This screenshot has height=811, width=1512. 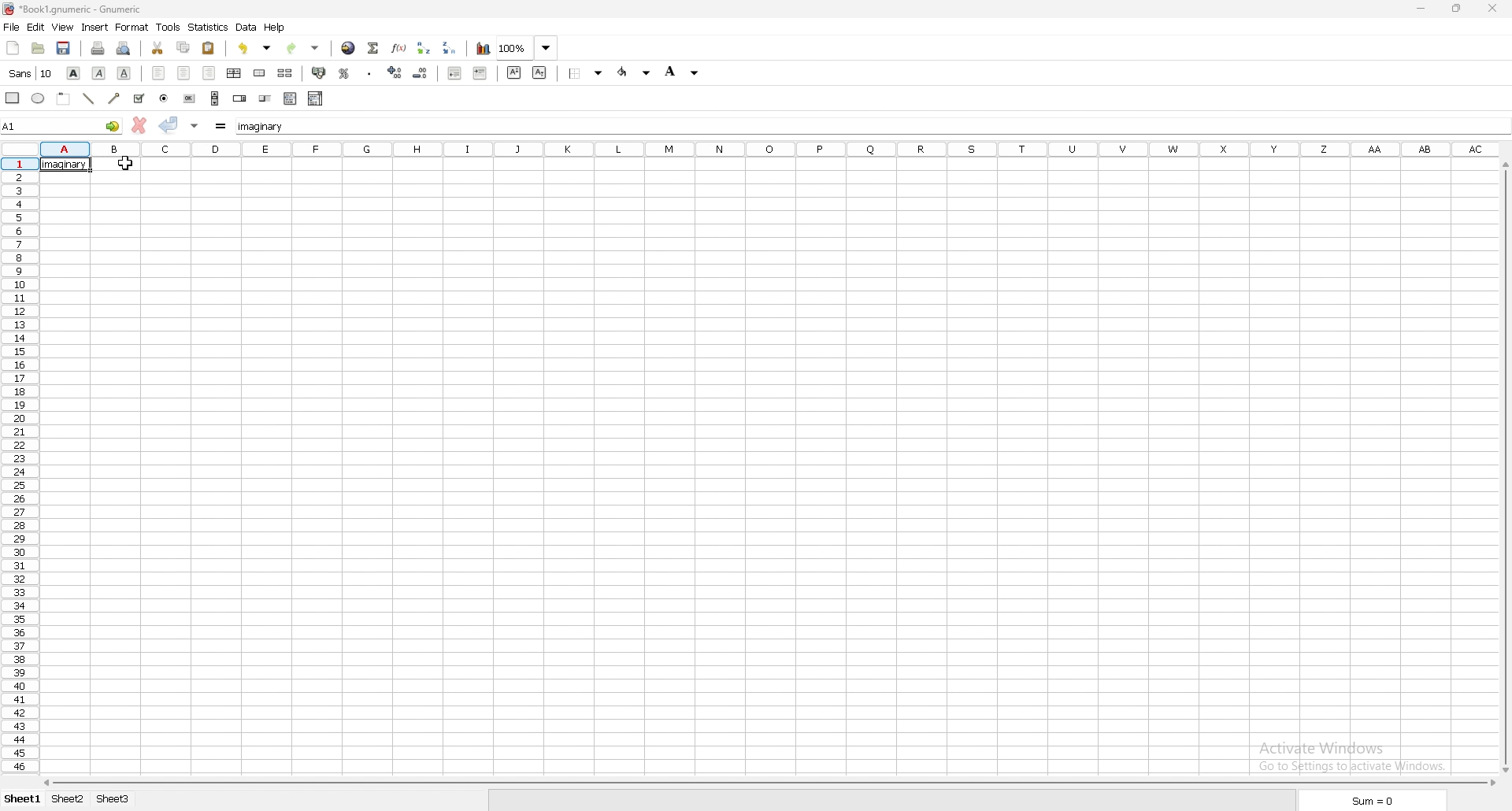 What do you see at coordinates (12, 98) in the screenshot?
I see `rectangle` at bounding box center [12, 98].